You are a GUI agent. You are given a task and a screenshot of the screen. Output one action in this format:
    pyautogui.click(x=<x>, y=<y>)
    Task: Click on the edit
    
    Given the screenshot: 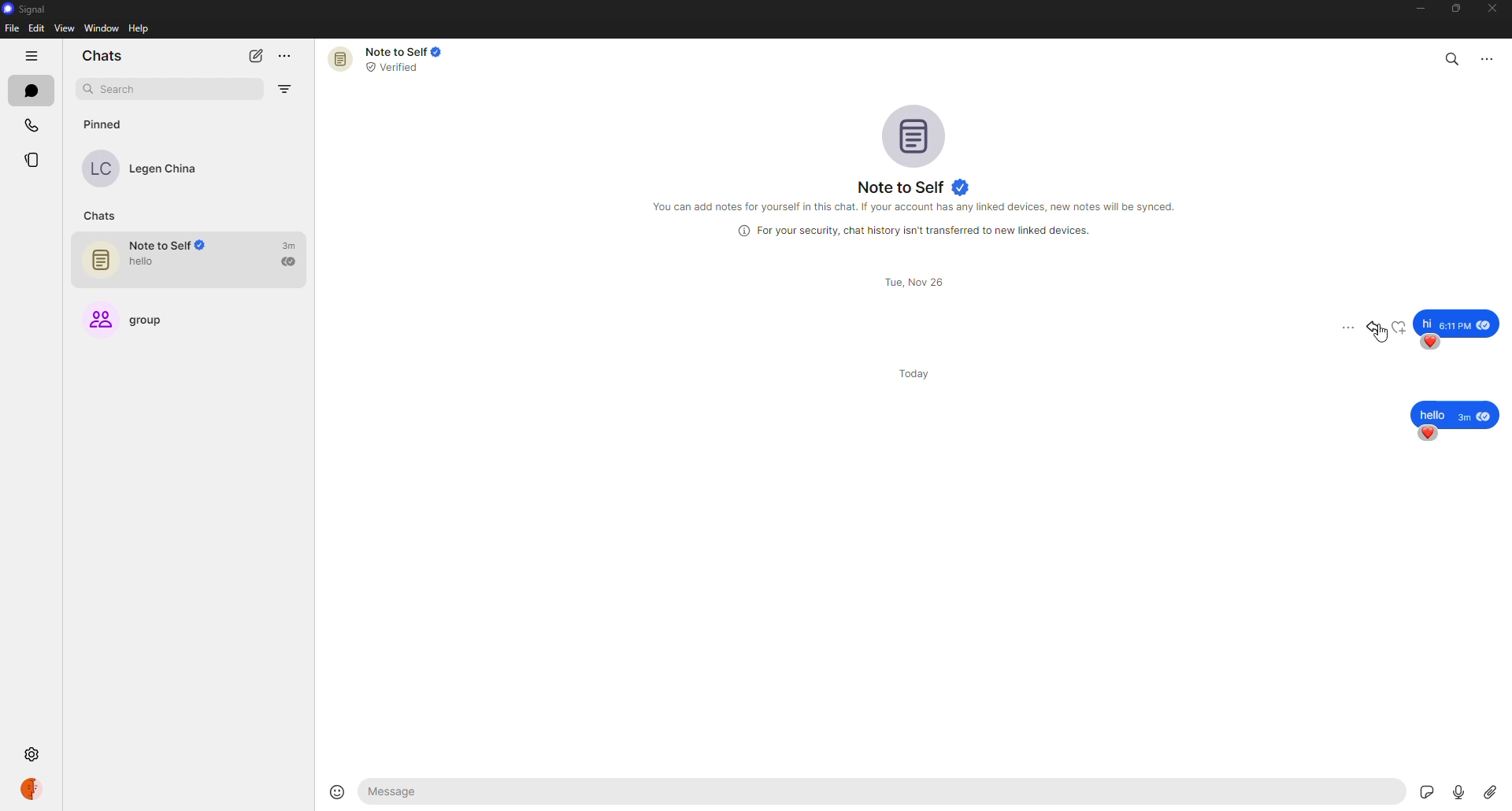 What is the action you would take?
    pyautogui.click(x=35, y=28)
    